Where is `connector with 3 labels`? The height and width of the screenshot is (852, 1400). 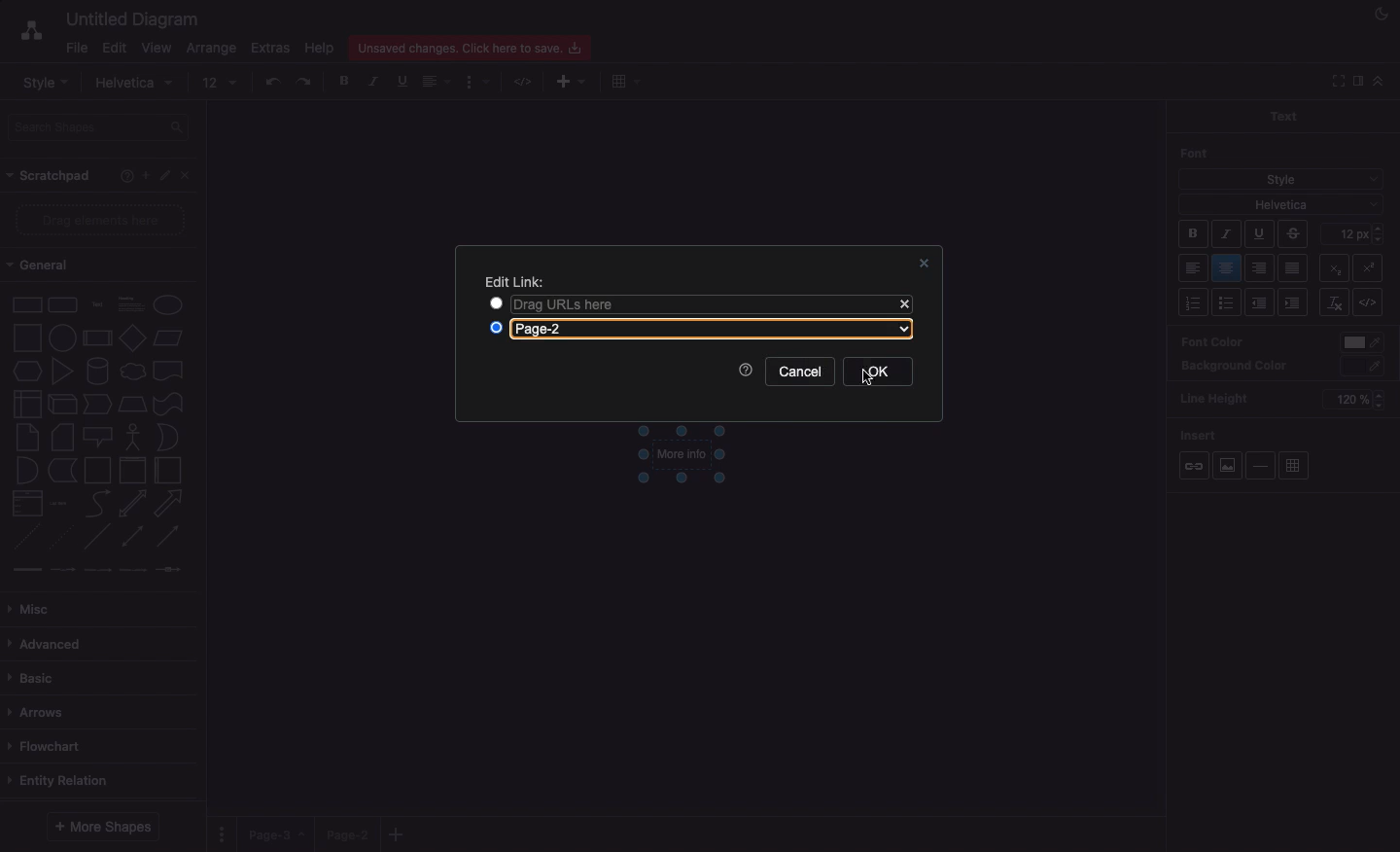 connector with 3 labels is located at coordinates (133, 570).